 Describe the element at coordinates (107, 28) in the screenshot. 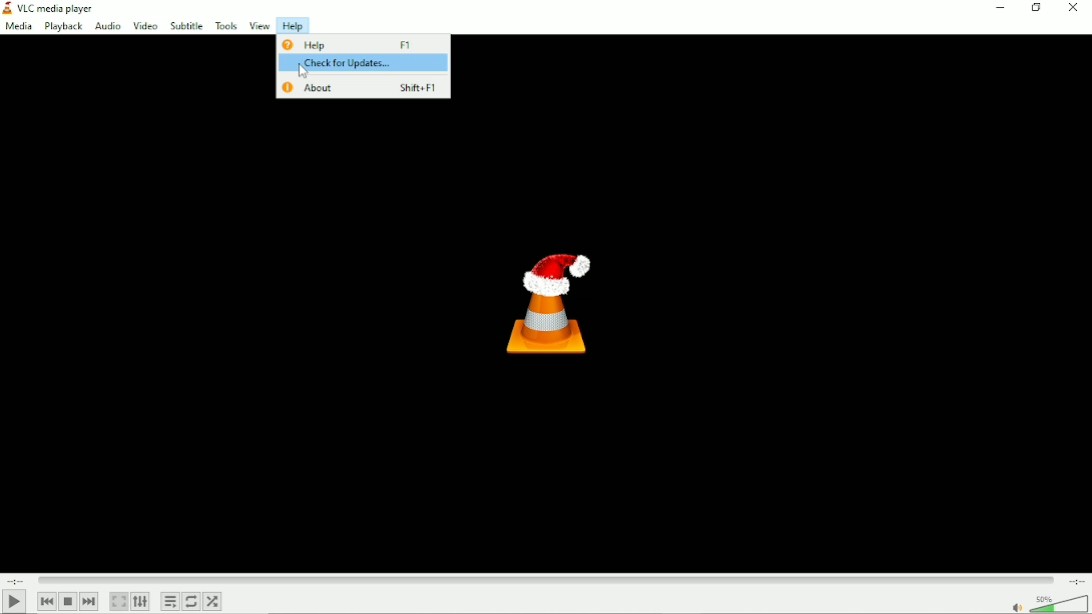

I see `Audio` at that location.